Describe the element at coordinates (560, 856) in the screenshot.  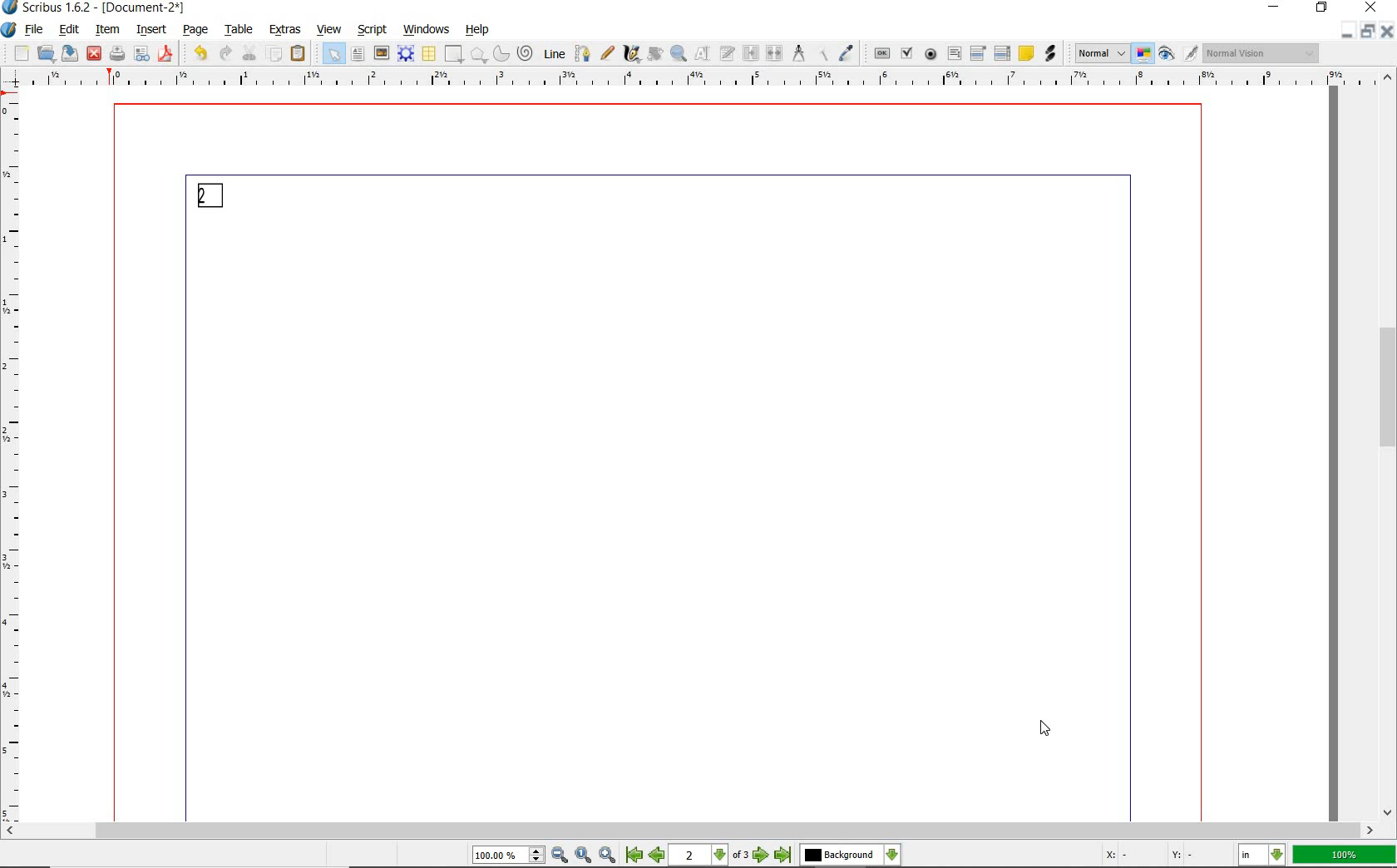
I see `Zoom Out` at that location.